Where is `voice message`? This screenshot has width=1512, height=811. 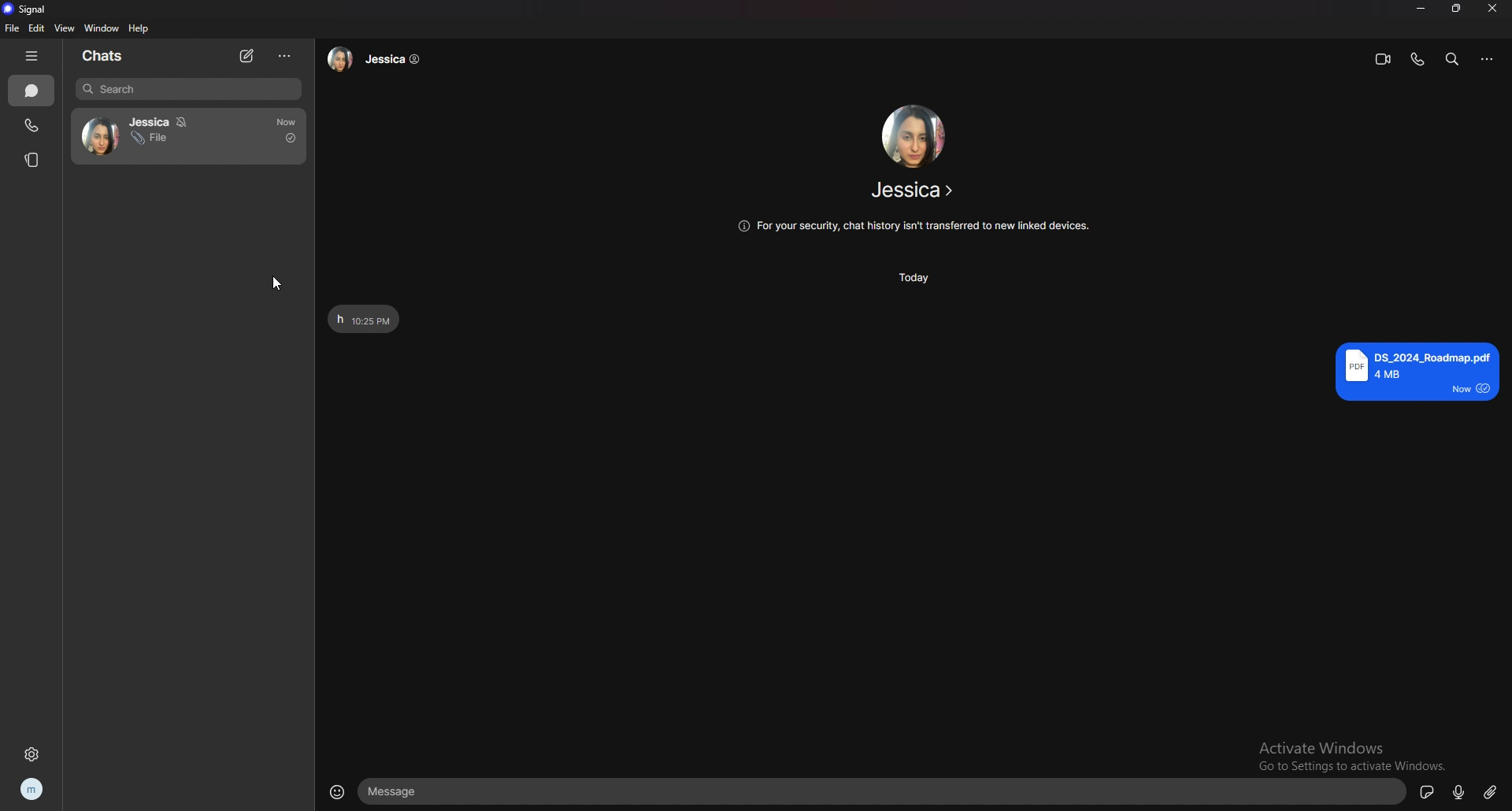
voice message is located at coordinates (1458, 793).